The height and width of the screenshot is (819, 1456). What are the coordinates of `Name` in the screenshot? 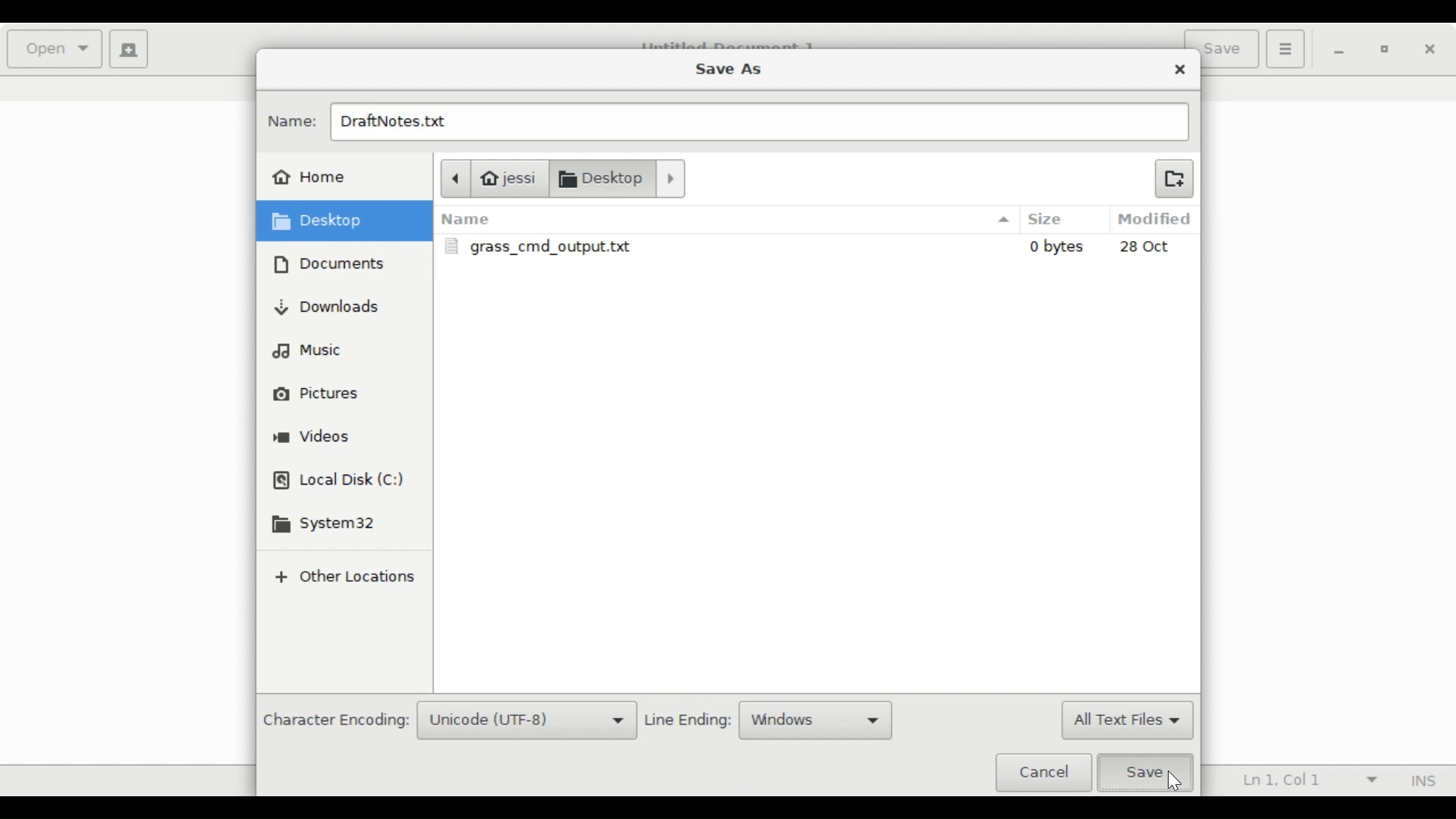 It's located at (293, 121).